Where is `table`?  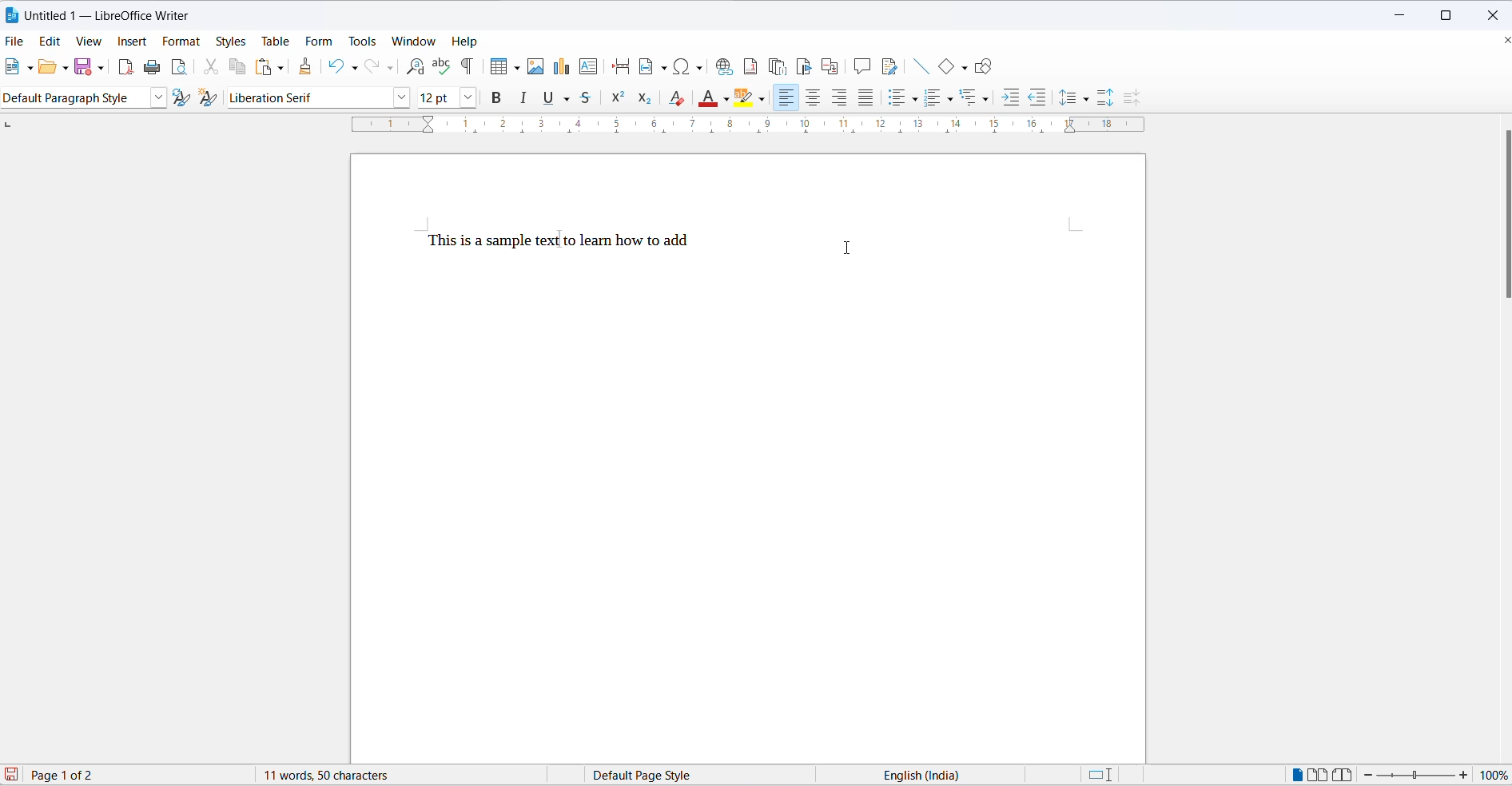
table is located at coordinates (276, 41).